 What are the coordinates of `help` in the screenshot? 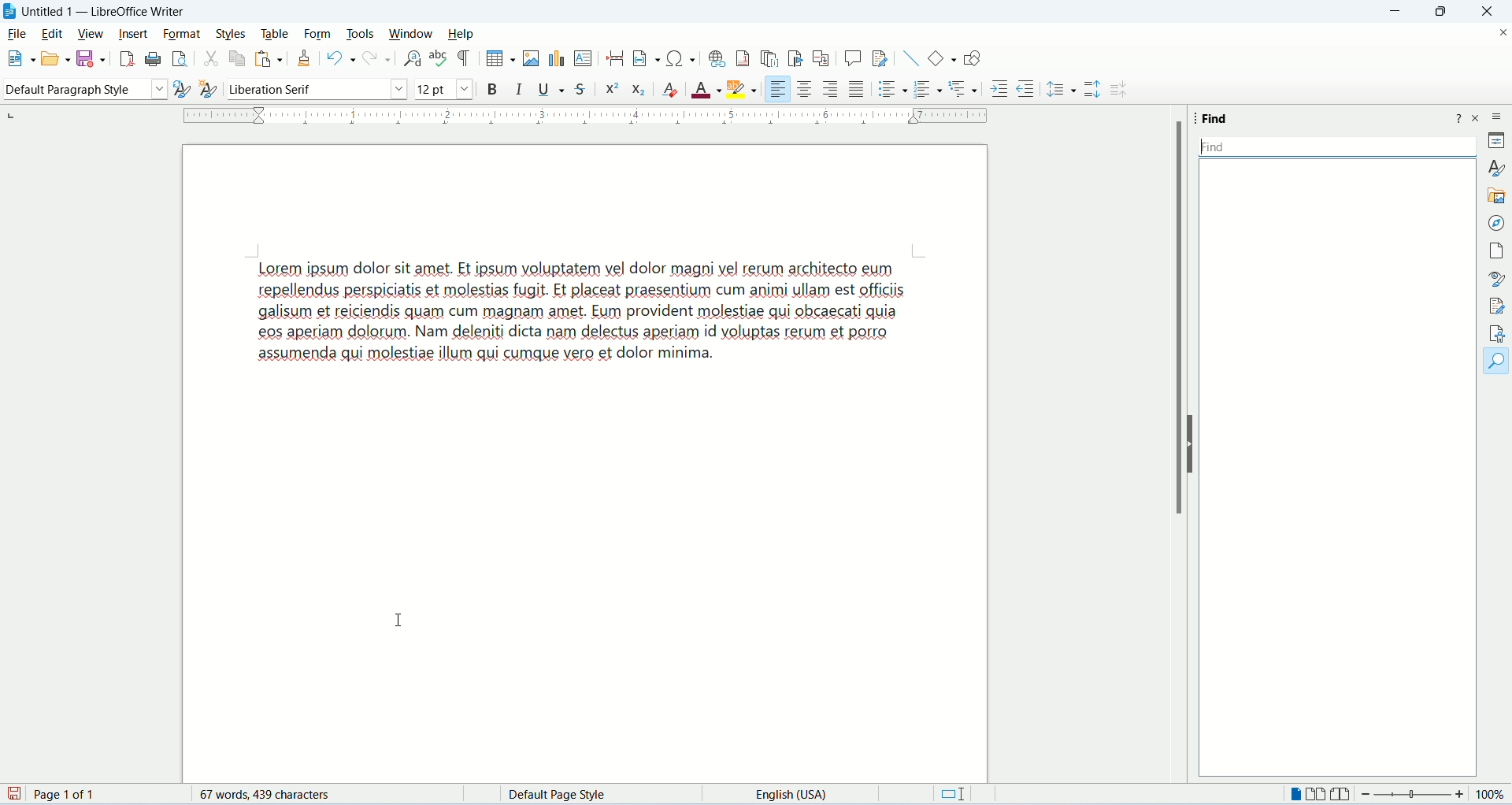 It's located at (1459, 119).